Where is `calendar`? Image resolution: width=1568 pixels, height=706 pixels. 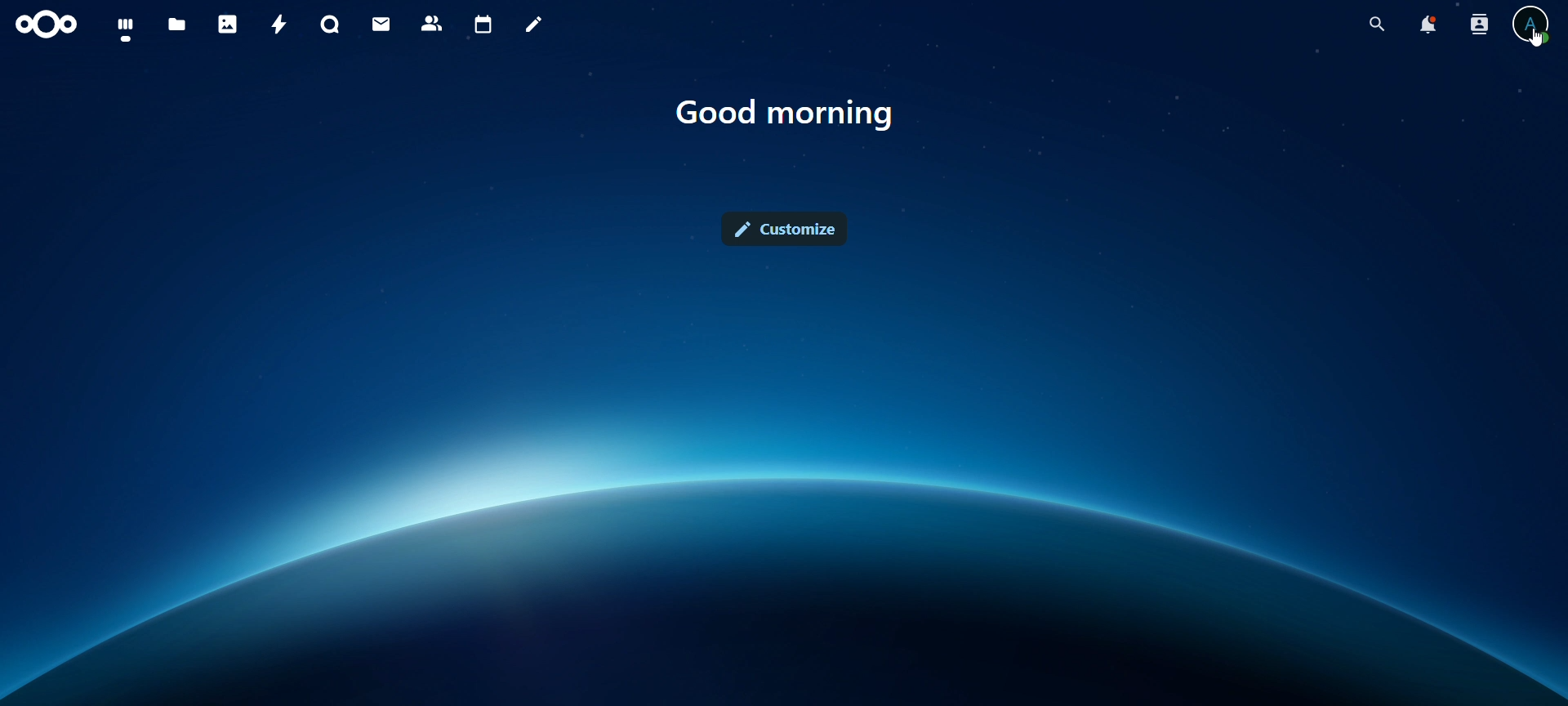
calendar is located at coordinates (484, 25).